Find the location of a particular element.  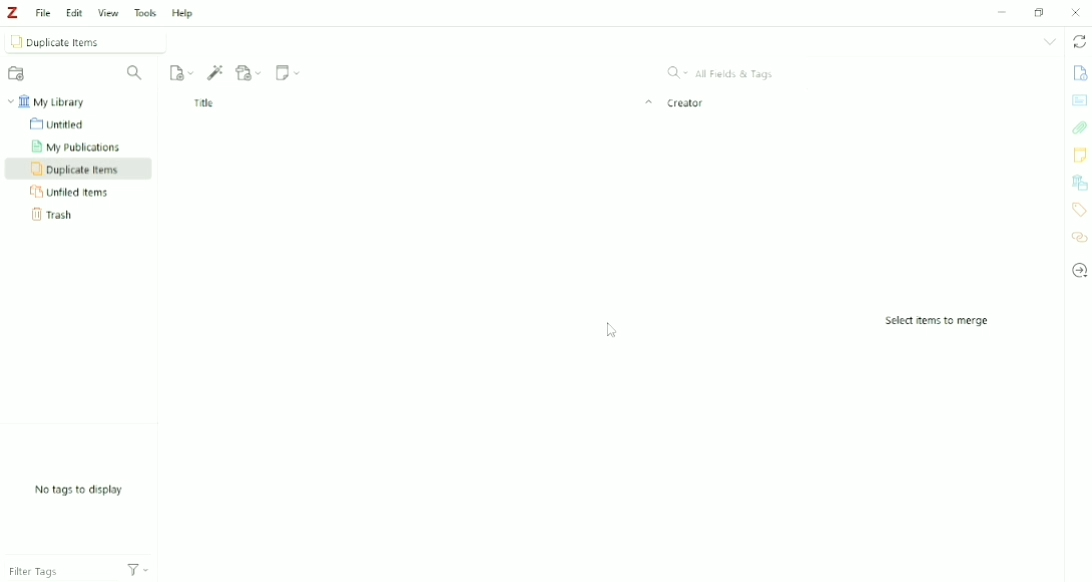

List all tabs is located at coordinates (1050, 42).